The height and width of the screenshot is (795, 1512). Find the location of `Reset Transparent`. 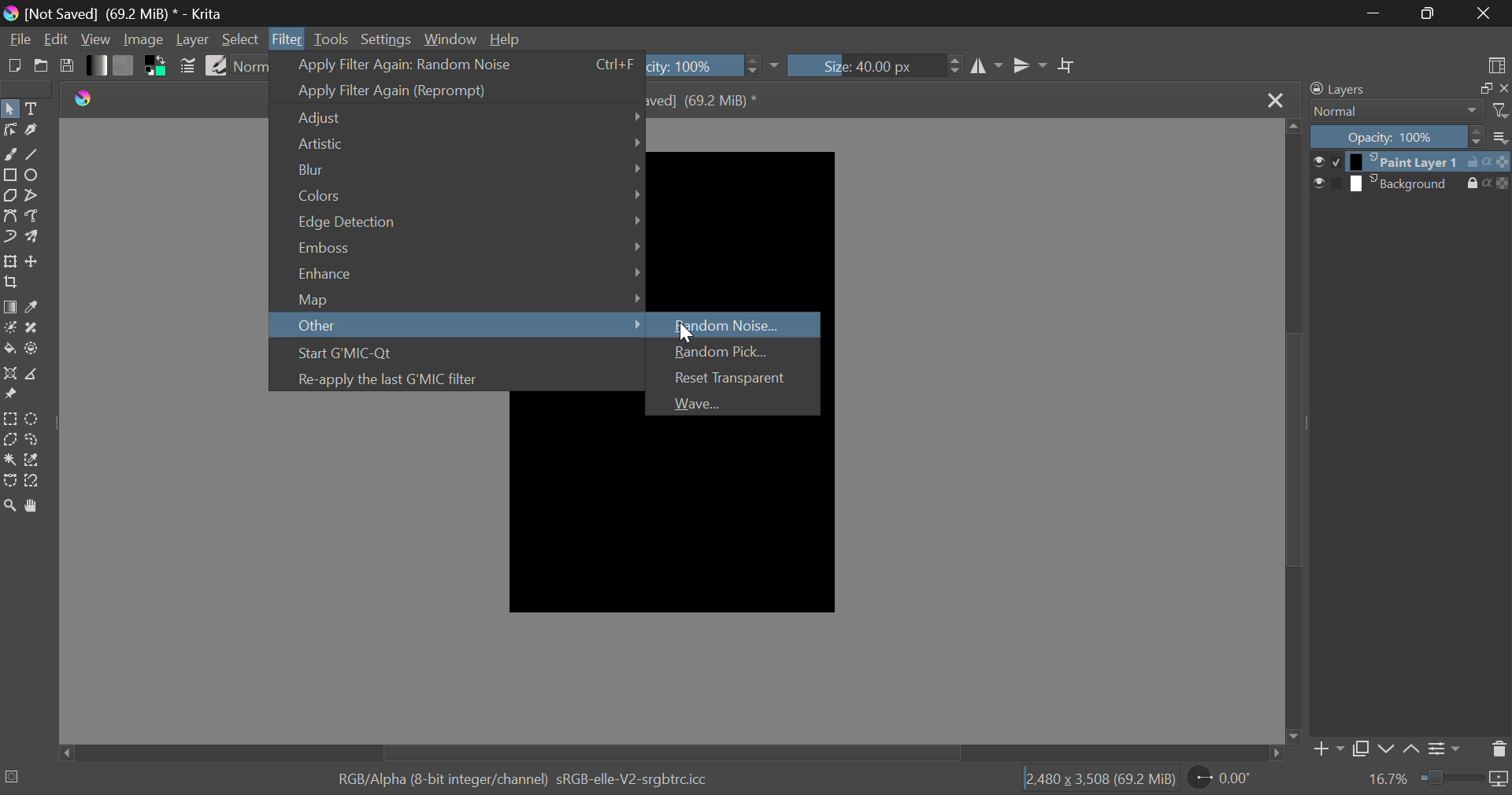

Reset Transparent is located at coordinates (732, 378).